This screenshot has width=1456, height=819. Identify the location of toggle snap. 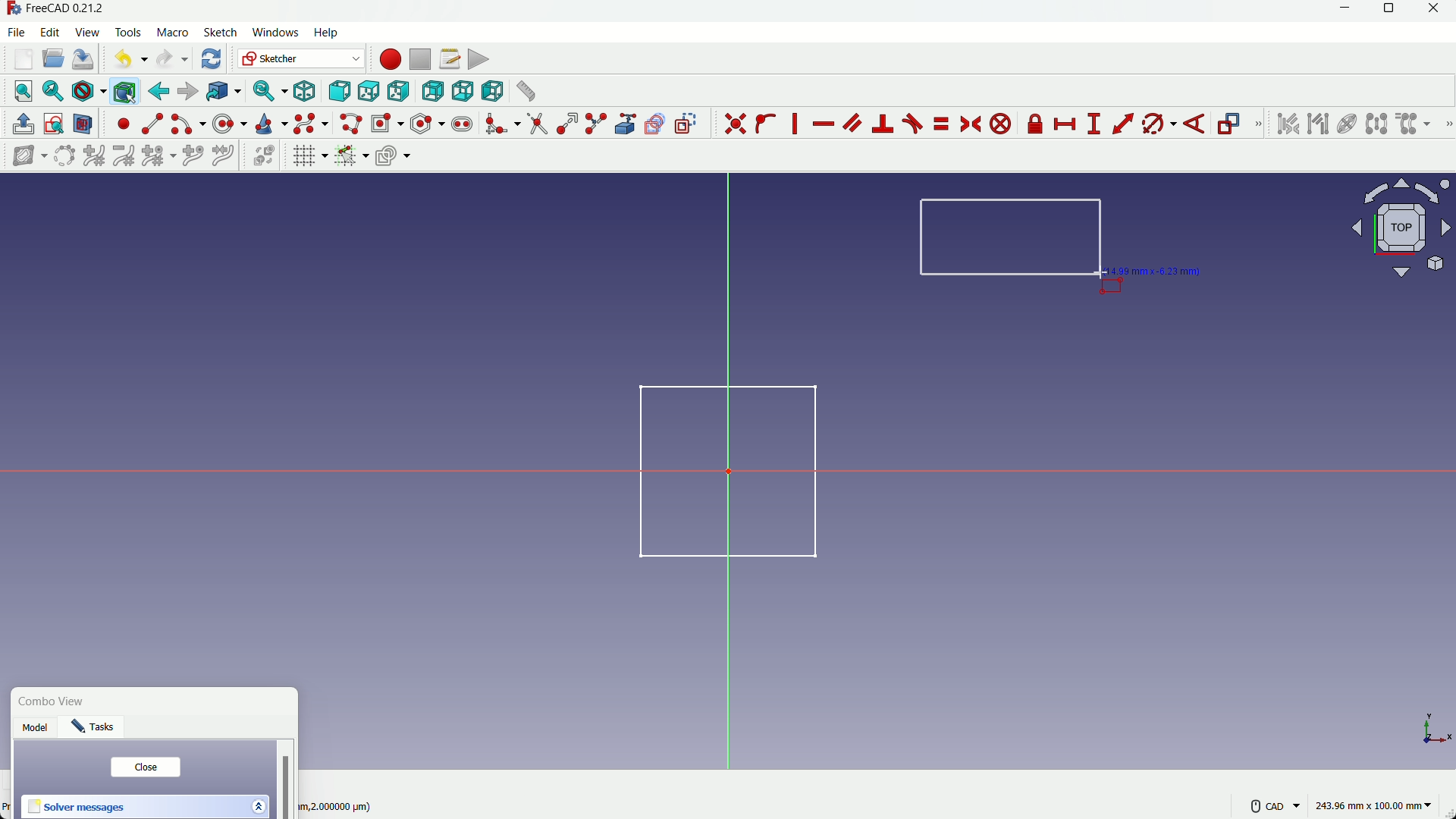
(351, 155).